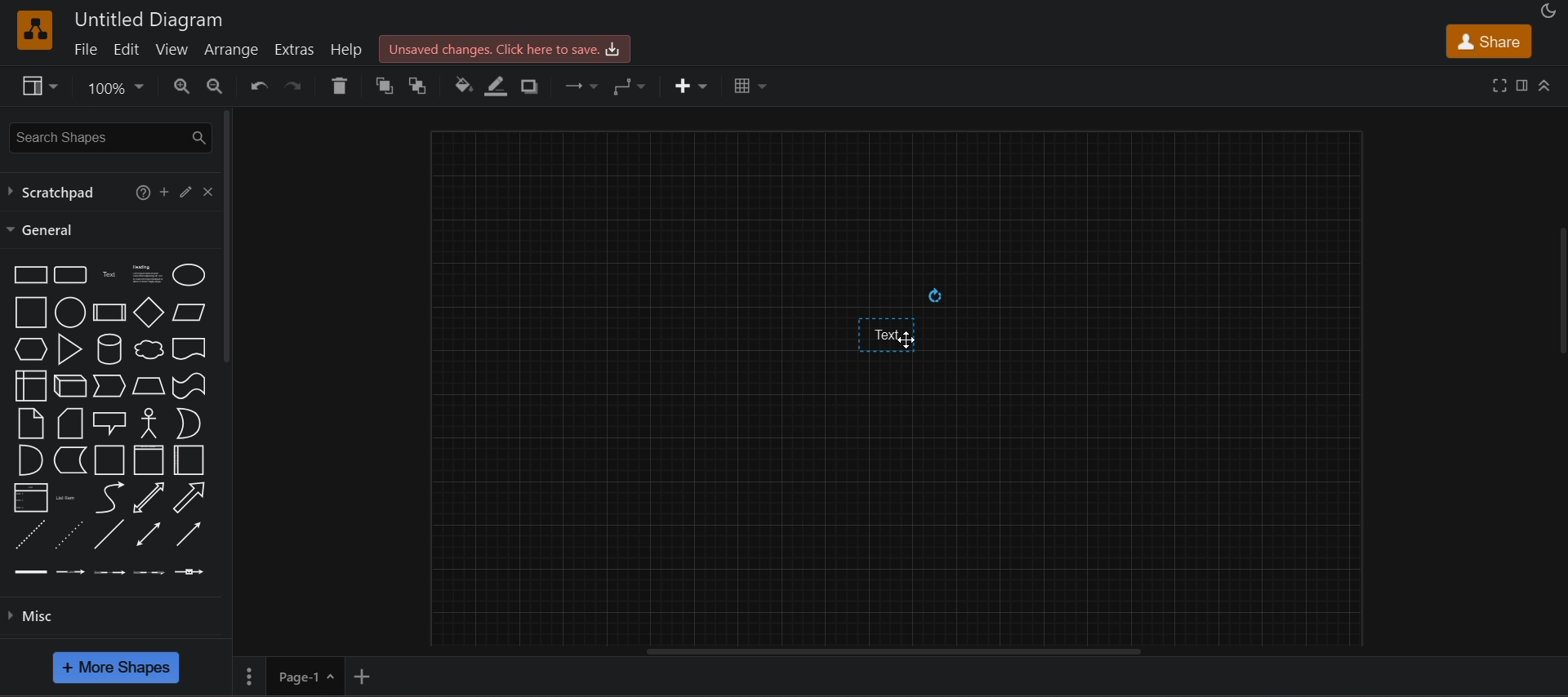  What do you see at coordinates (506, 49) in the screenshot?
I see `Unsaved changes. click here to save` at bounding box center [506, 49].